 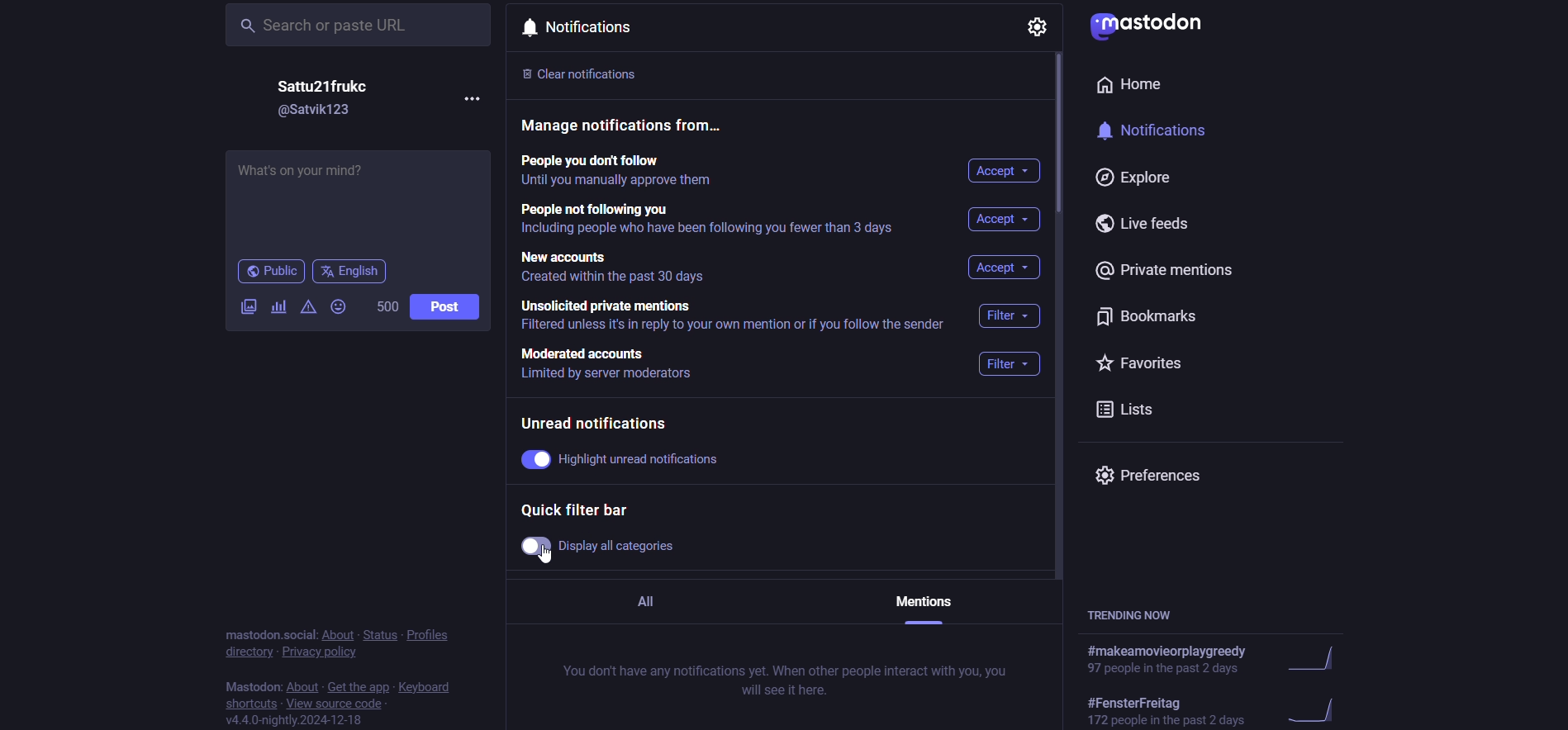 I want to click on trending graph, so click(x=1310, y=711).